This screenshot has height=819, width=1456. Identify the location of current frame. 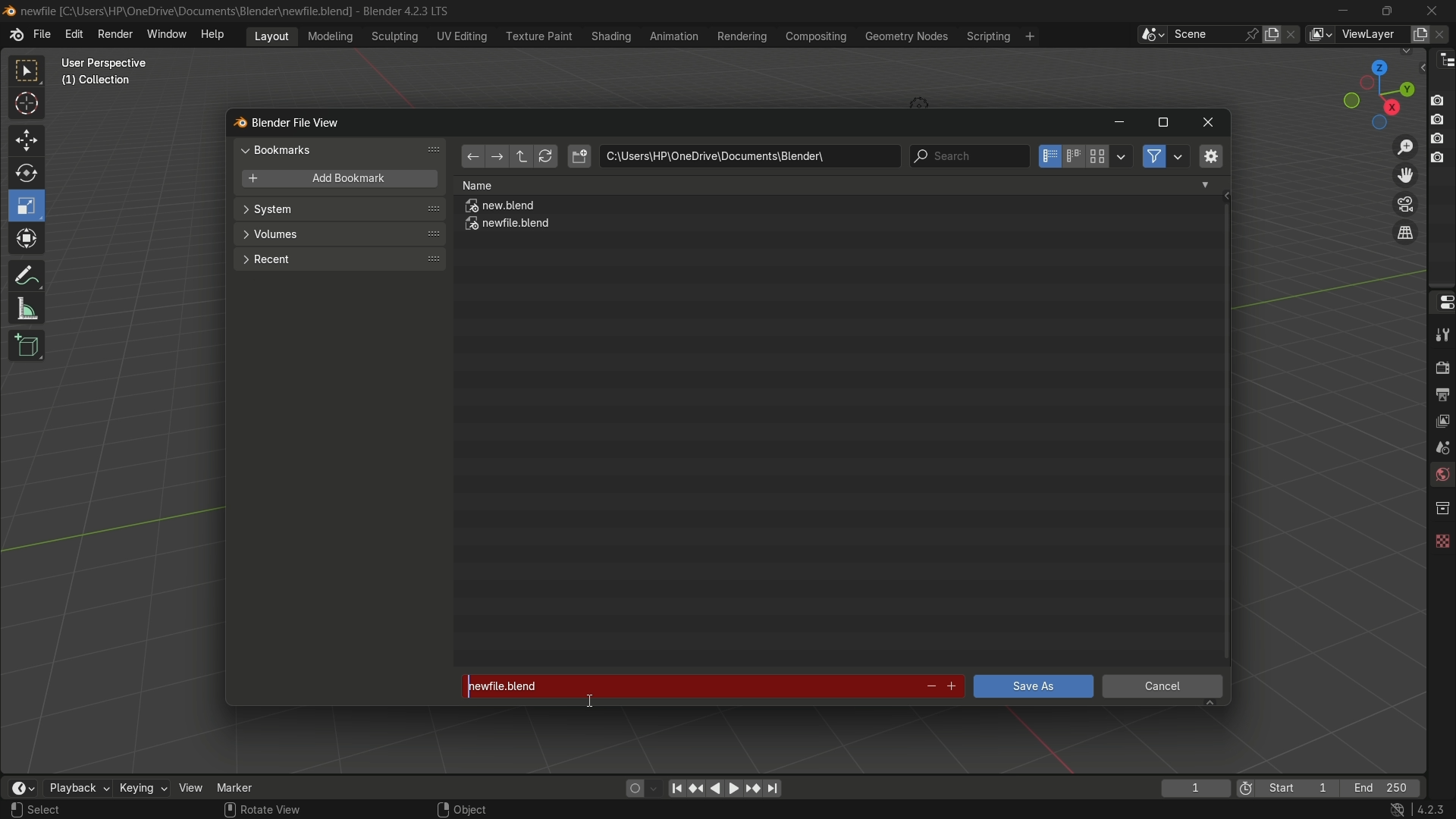
(1194, 788).